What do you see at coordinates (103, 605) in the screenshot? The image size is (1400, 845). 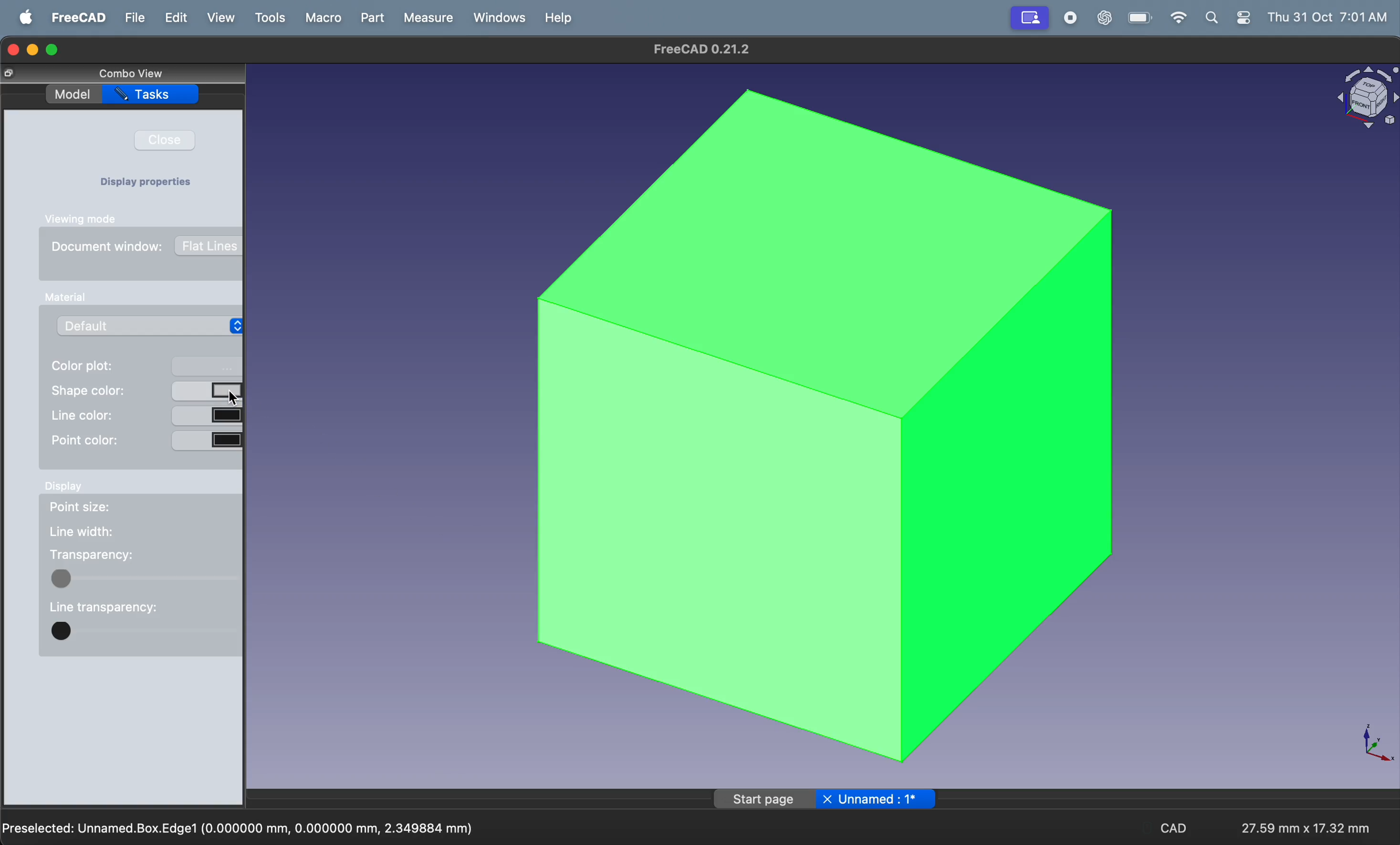 I see `line transparency` at bounding box center [103, 605].